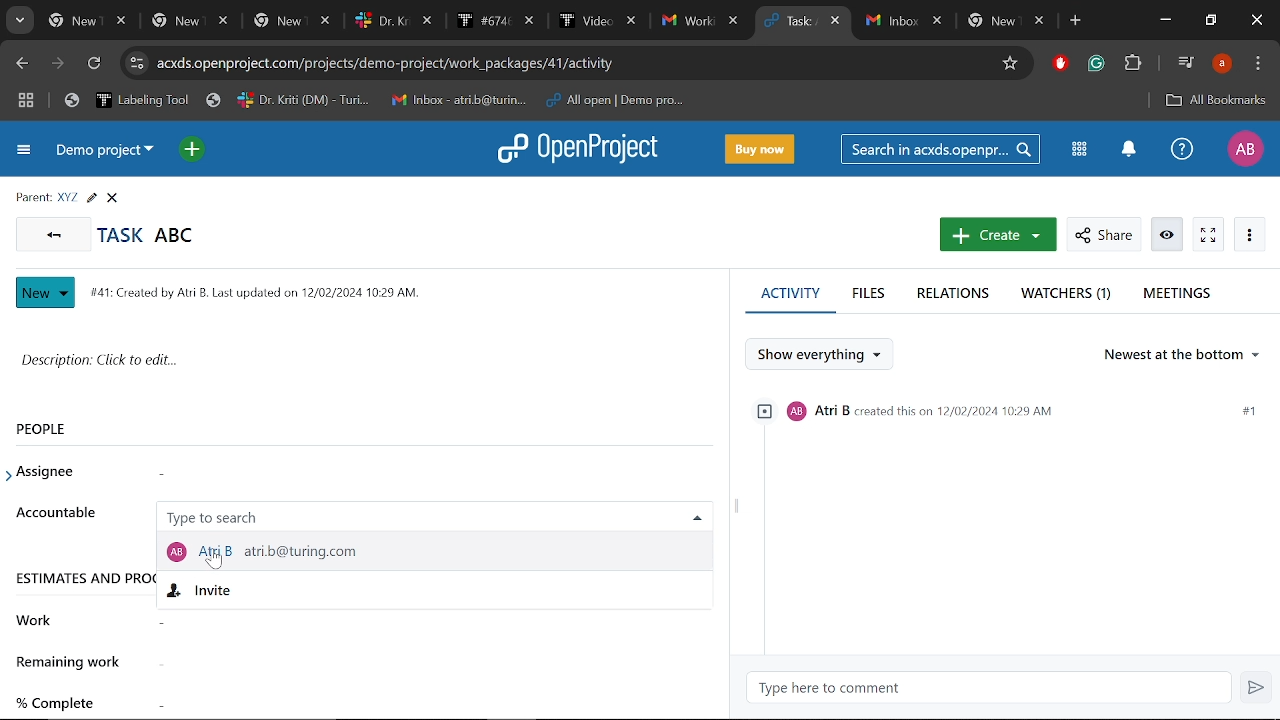 Image resolution: width=1280 pixels, height=720 pixels. Describe the element at coordinates (43, 199) in the screenshot. I see `Parent info` at that location.